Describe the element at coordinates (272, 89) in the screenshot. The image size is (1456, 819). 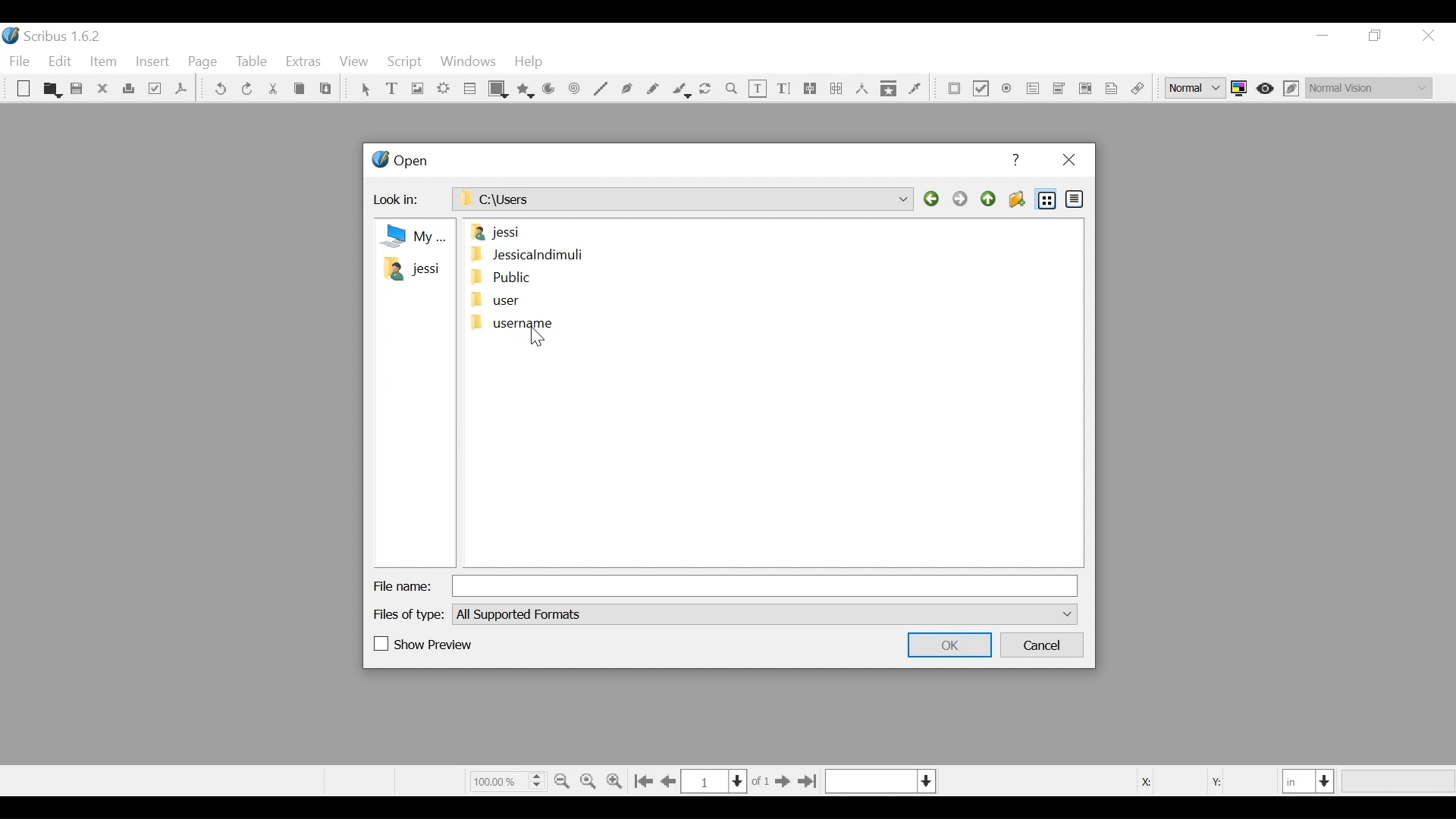
I see `Cut` at that location.